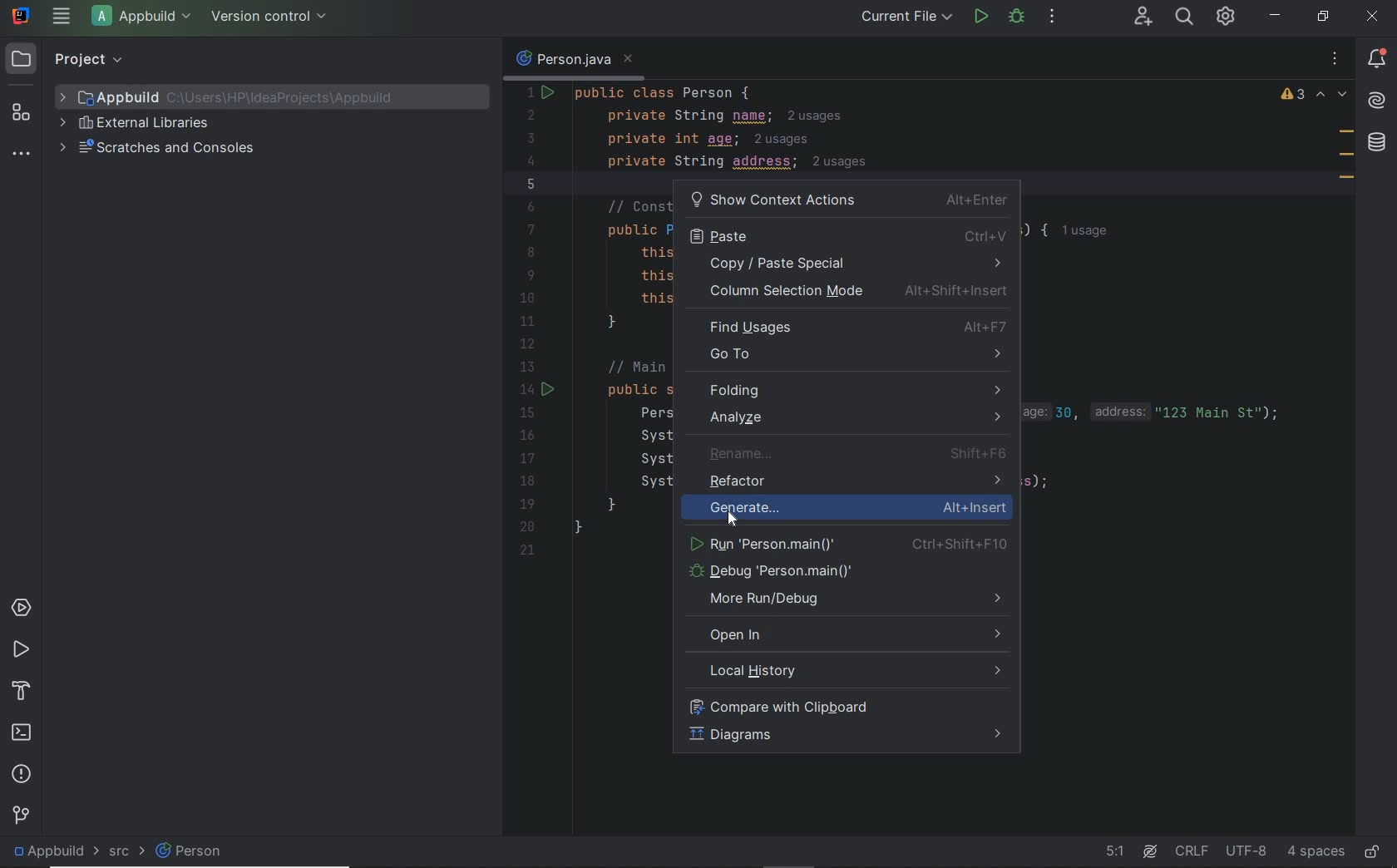 This screenshot has height=868, width=1397. I want to click on project file name, so click(240, 96).